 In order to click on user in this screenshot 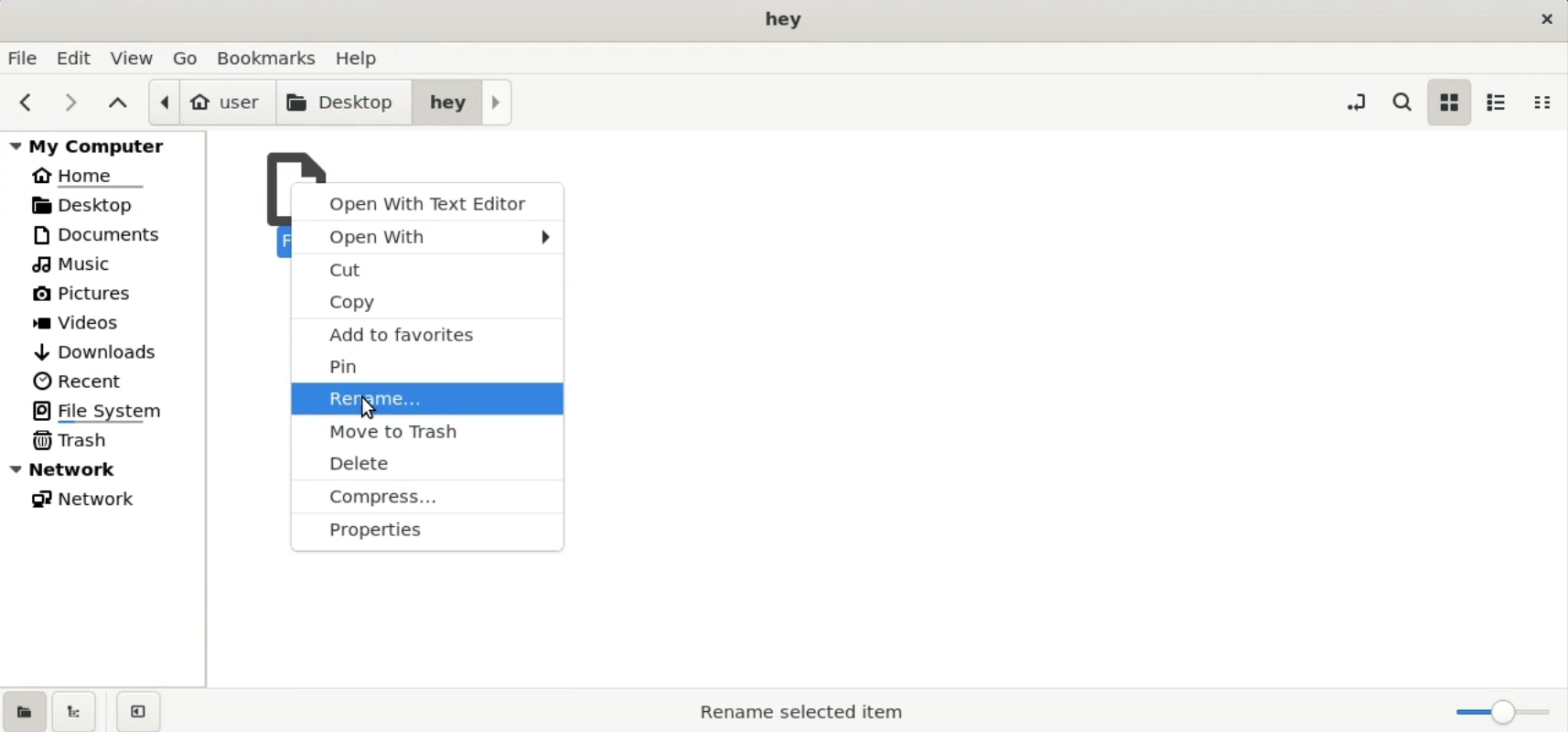, I will do `click(210, 102)`.